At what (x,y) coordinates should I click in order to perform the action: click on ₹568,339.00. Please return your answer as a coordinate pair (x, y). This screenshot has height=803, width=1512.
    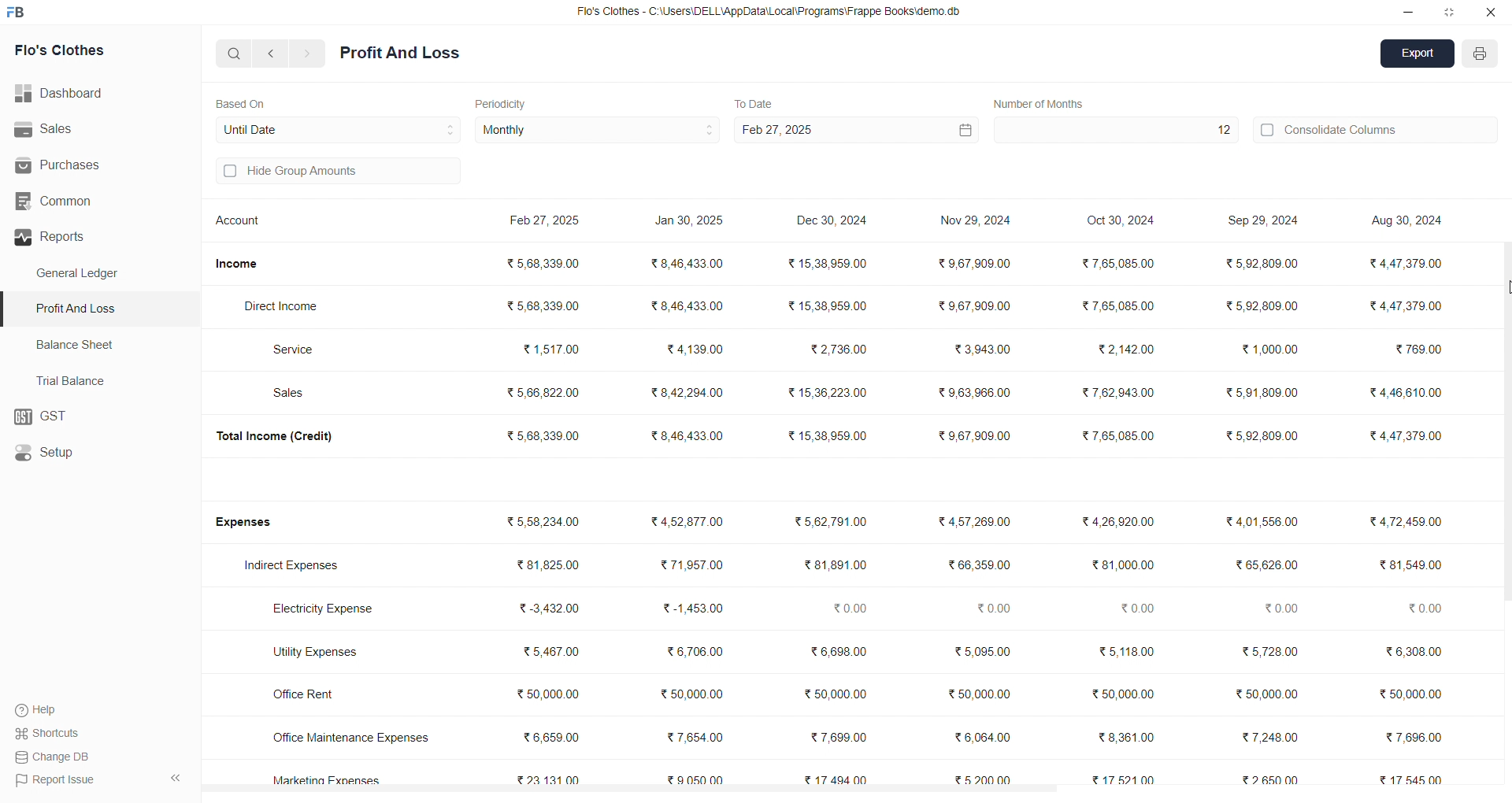
    Looking at the image, I should click on (546, 304).